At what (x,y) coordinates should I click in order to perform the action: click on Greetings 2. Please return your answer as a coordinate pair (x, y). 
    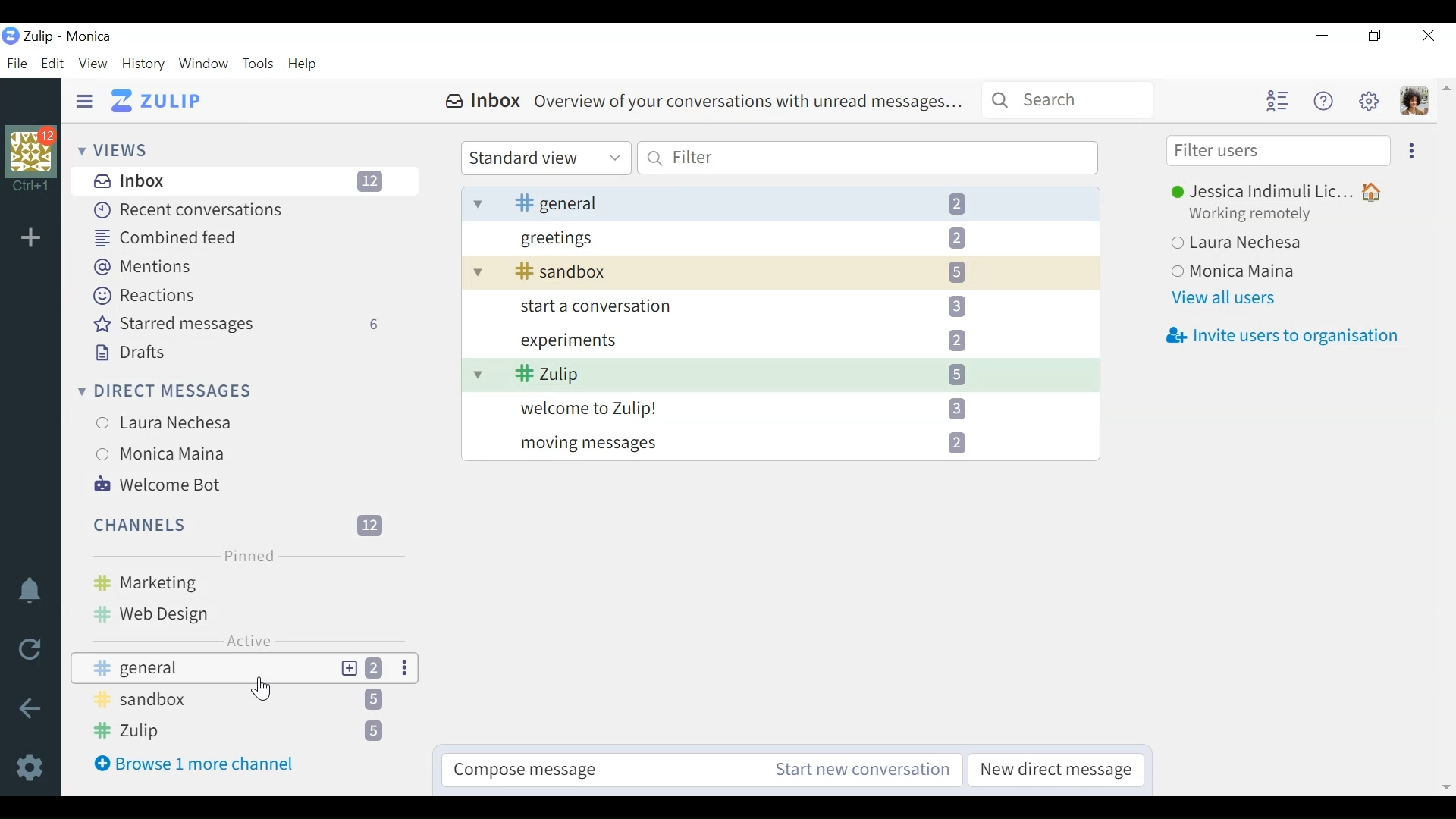
    Looking at the image, I should click on (781, 237).